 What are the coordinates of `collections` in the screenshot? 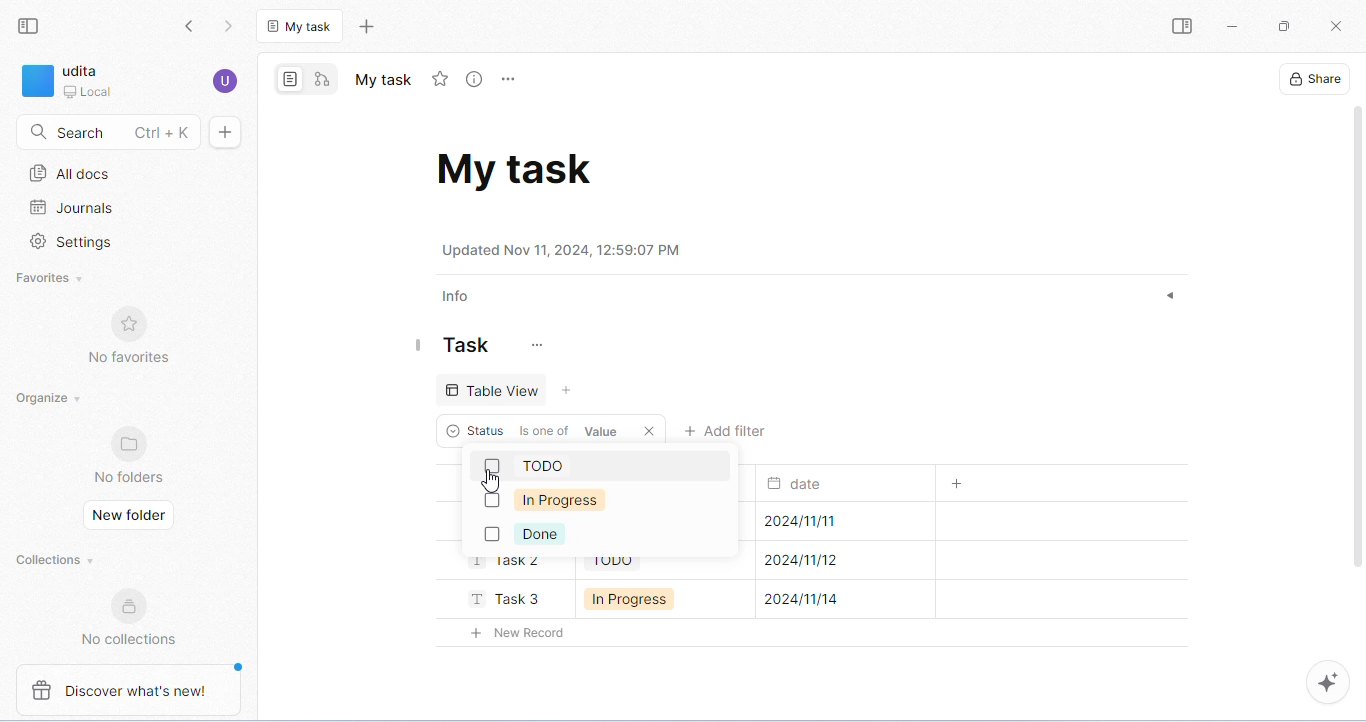 It's located at (55, 560).